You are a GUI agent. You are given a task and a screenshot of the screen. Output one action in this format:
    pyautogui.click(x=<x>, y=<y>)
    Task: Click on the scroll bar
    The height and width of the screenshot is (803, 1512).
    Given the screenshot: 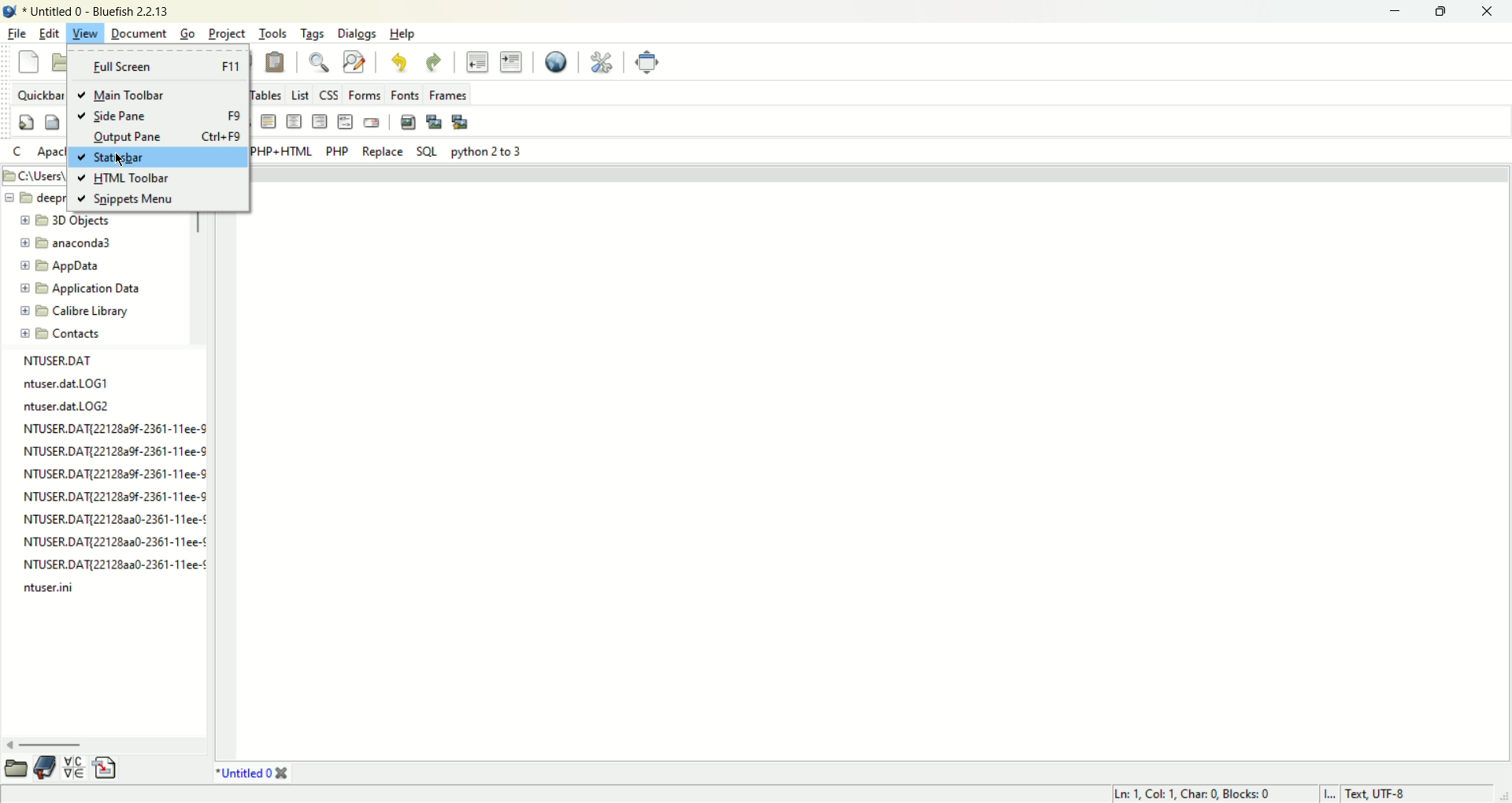 What is the action you would take?
    pyautogui.click(x=16, y=768)
    